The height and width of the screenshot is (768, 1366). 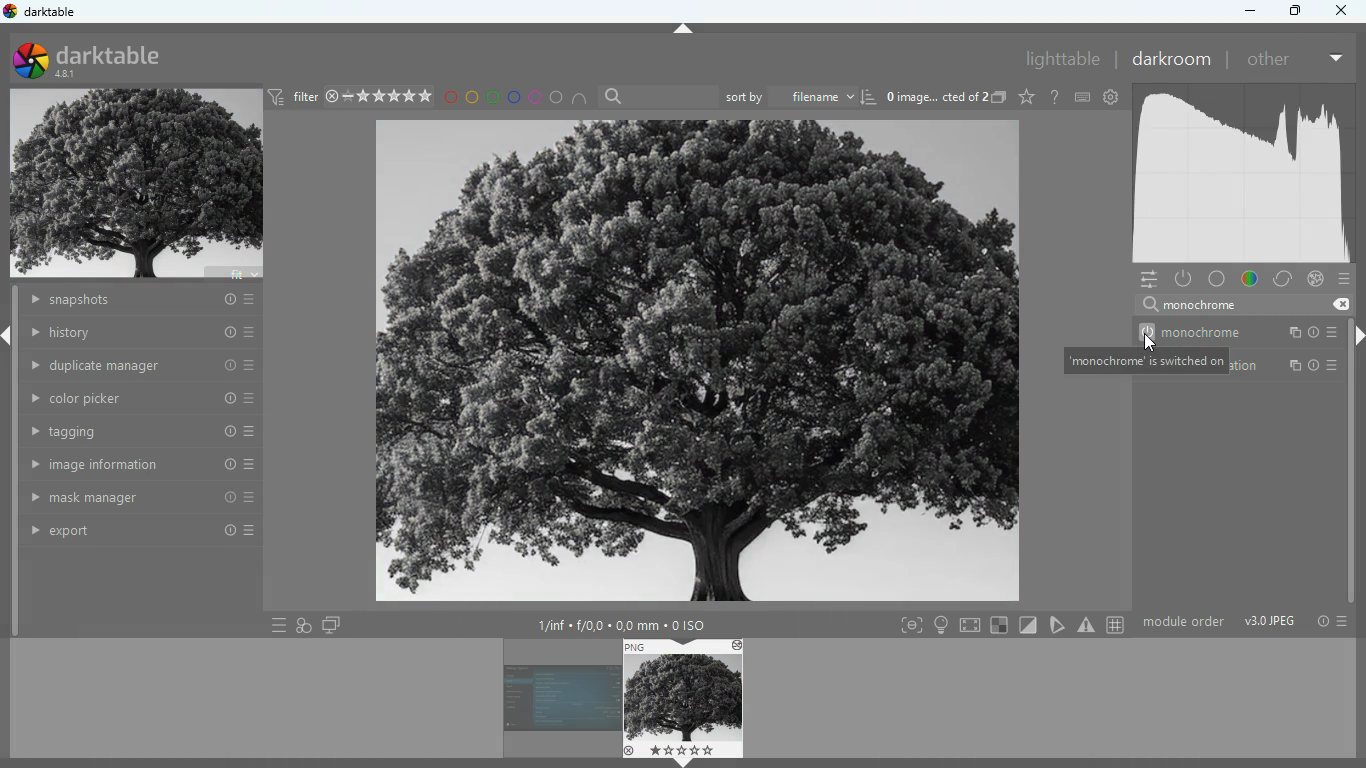 I want to click on export, so click(x=142, y=531).